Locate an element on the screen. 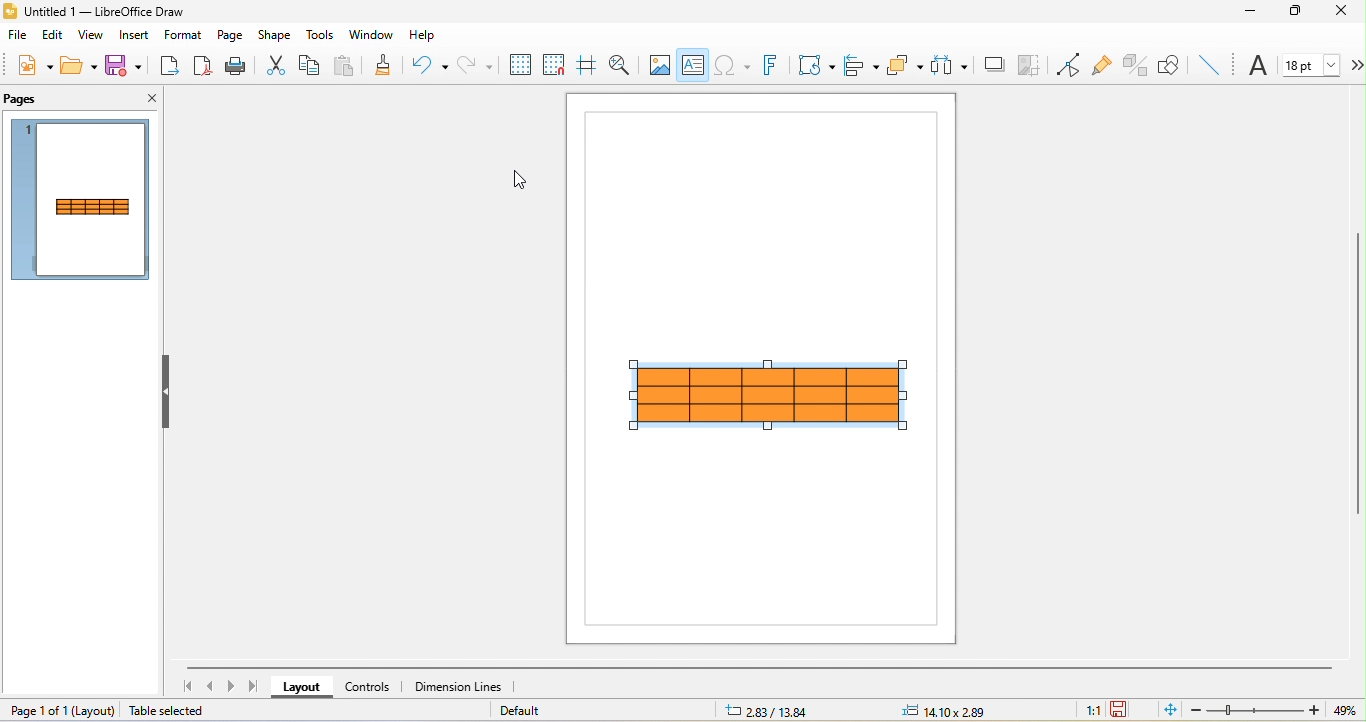  snap to grids is located at coordinates (554, 64).